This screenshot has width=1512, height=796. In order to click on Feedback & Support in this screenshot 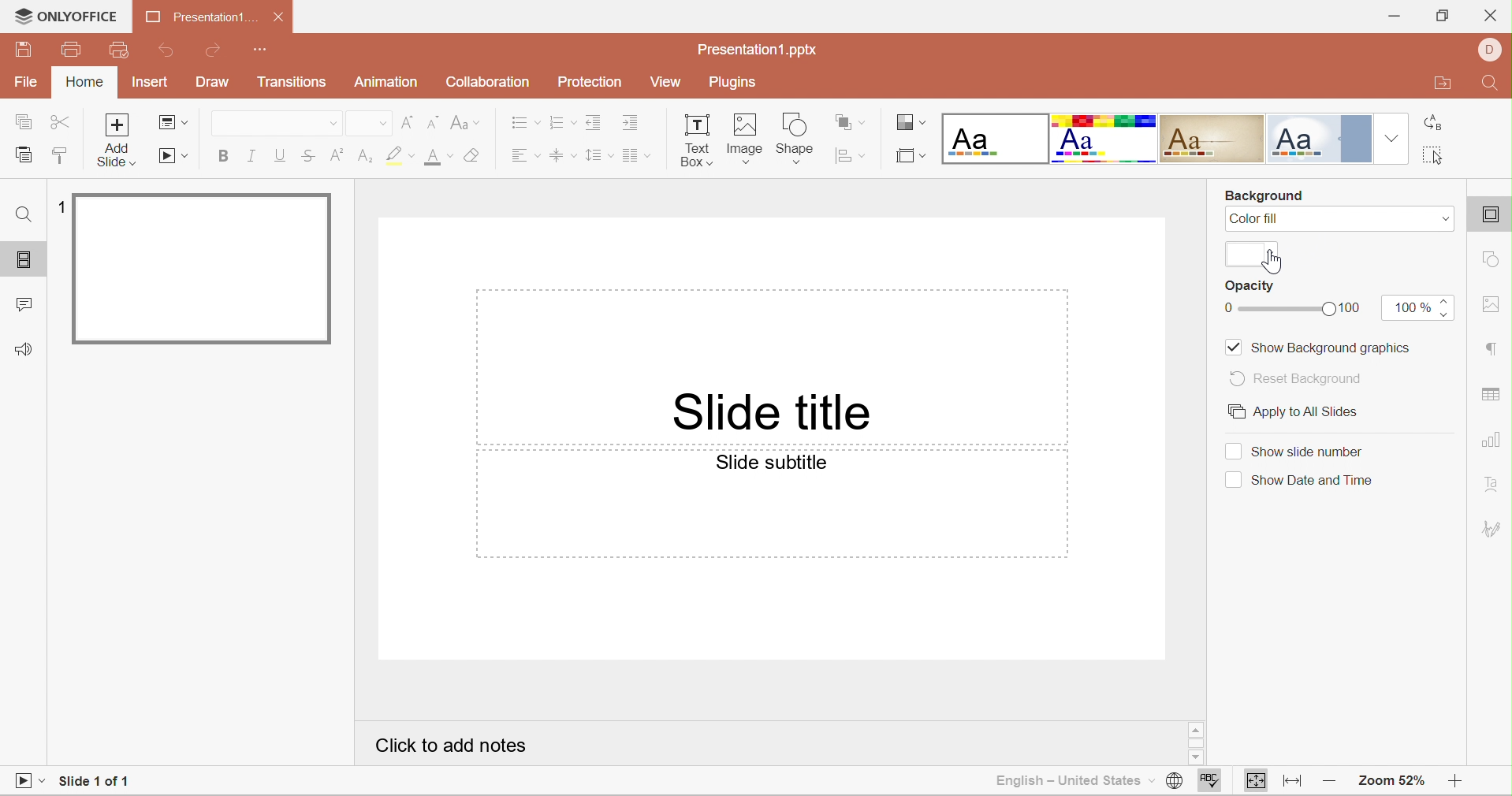, I will do `click(25, 350)`.